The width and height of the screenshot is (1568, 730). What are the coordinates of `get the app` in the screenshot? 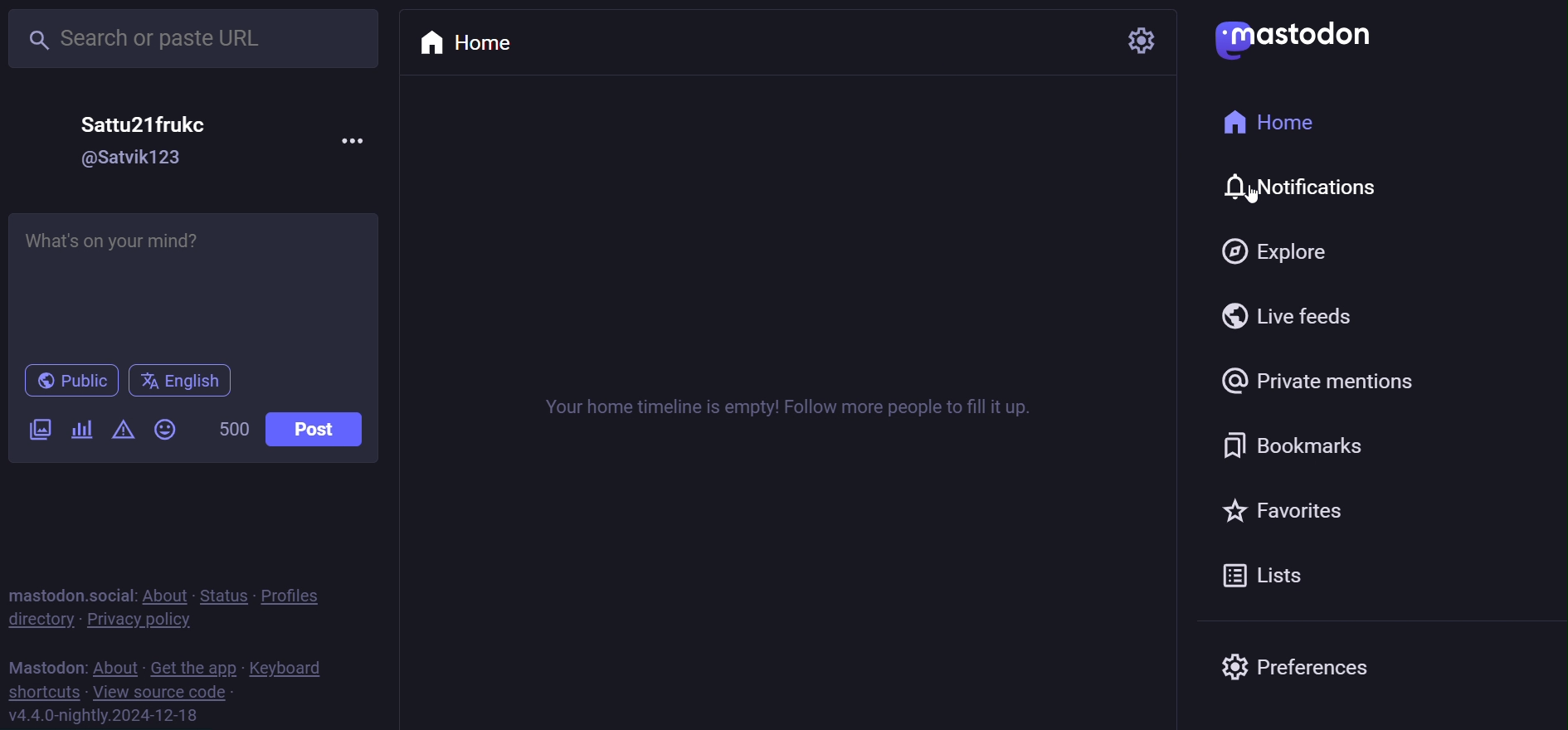 It's located at (192, 666).